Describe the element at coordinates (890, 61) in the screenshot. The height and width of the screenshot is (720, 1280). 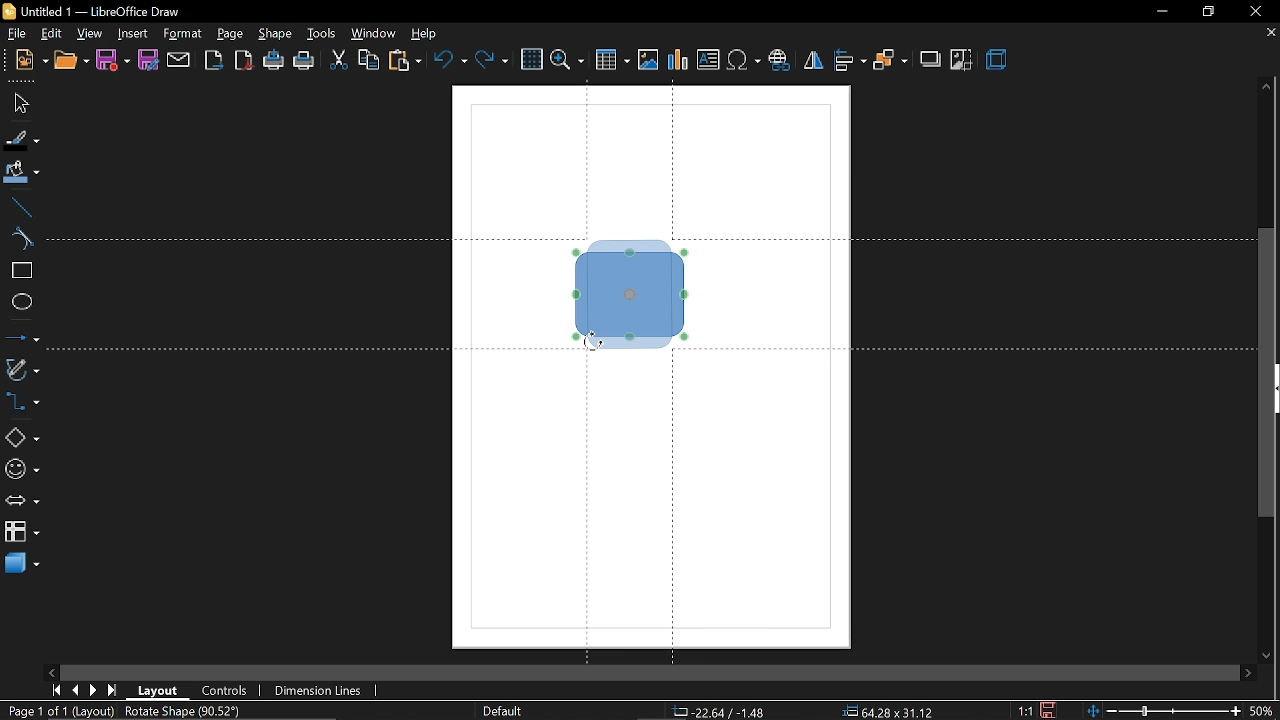
I see `arrange` at that location.